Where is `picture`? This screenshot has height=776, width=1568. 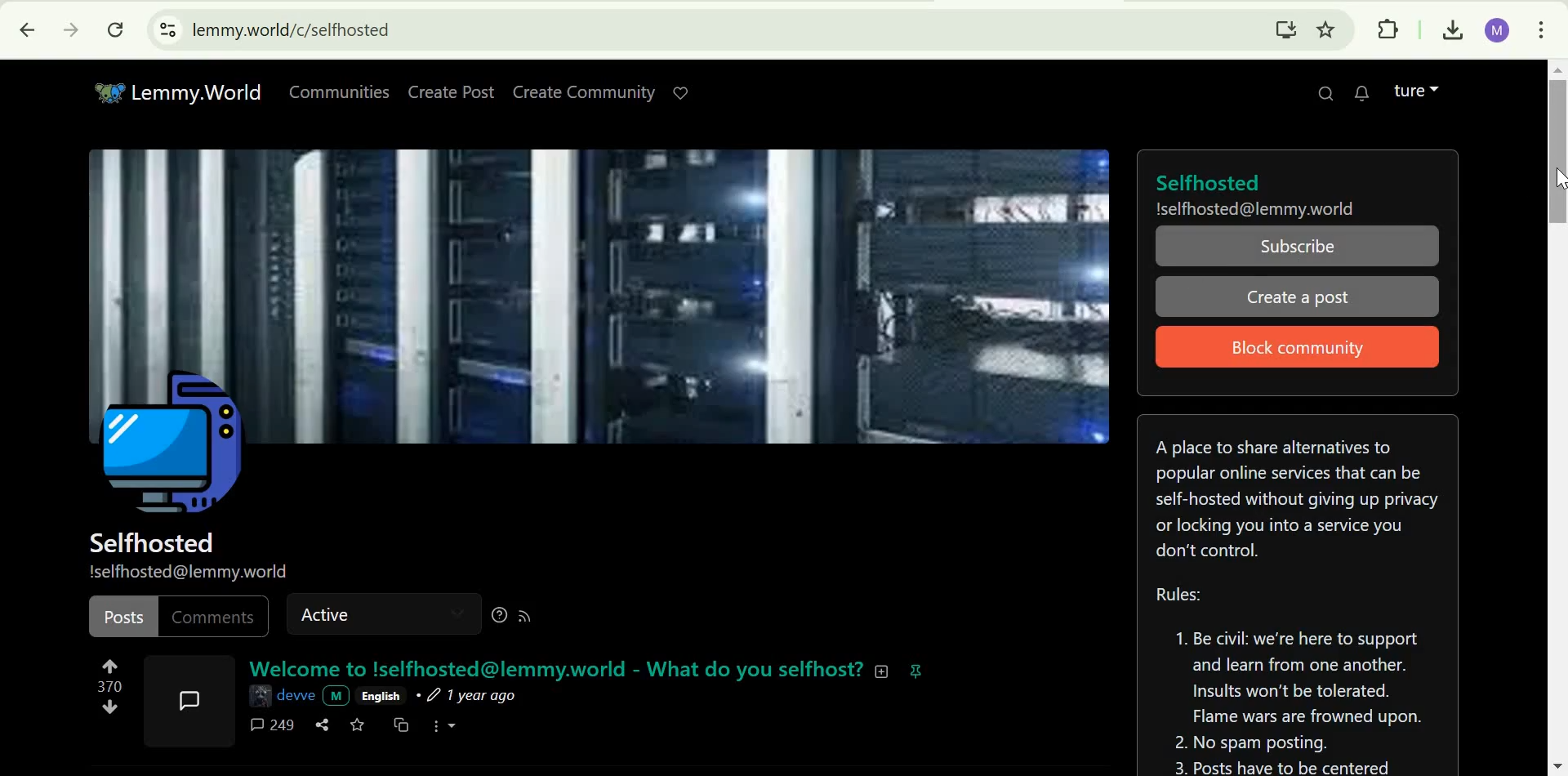 picture is located at coordinates (257, 695).